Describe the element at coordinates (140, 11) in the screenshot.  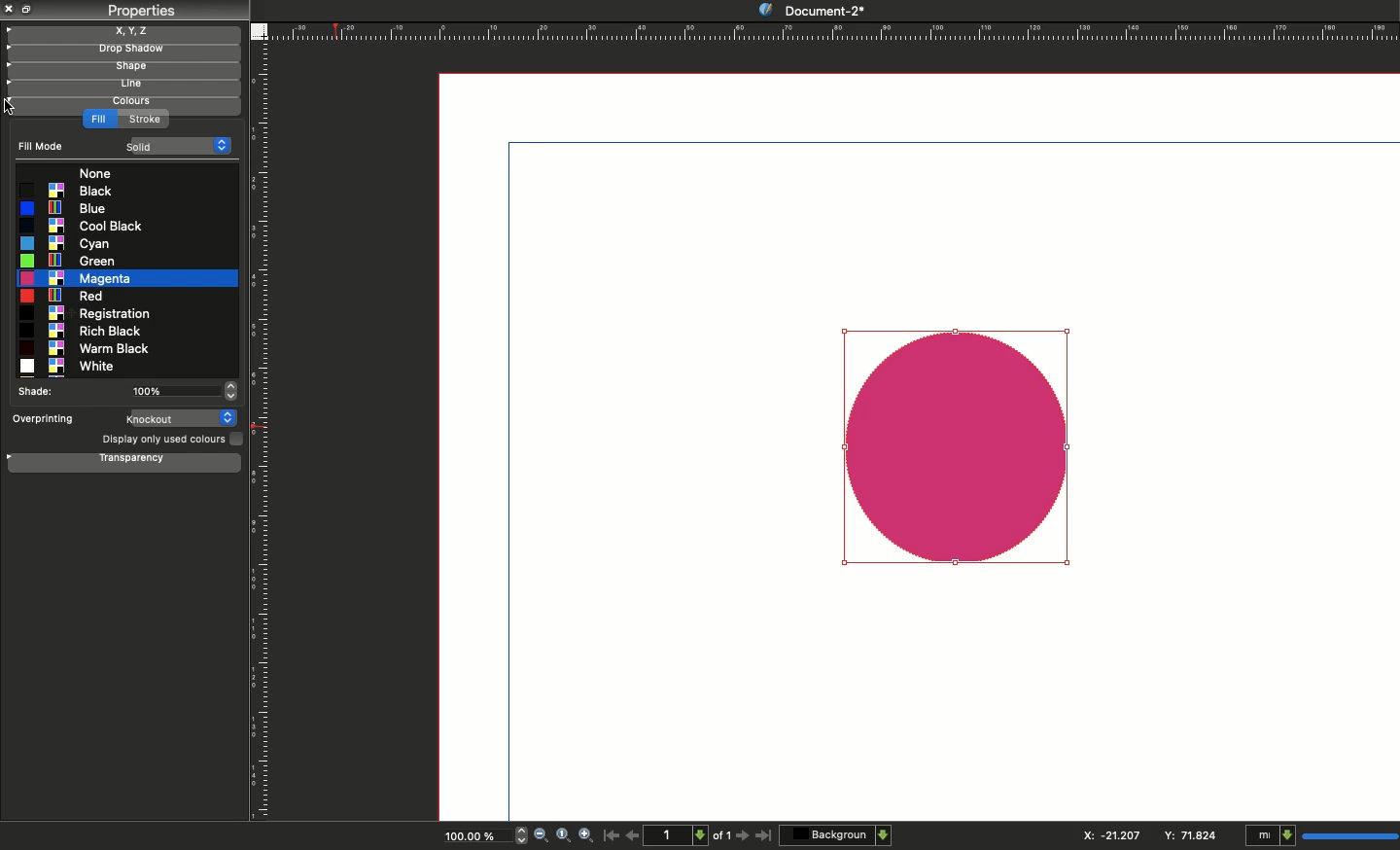
I see `Properties` at that location.